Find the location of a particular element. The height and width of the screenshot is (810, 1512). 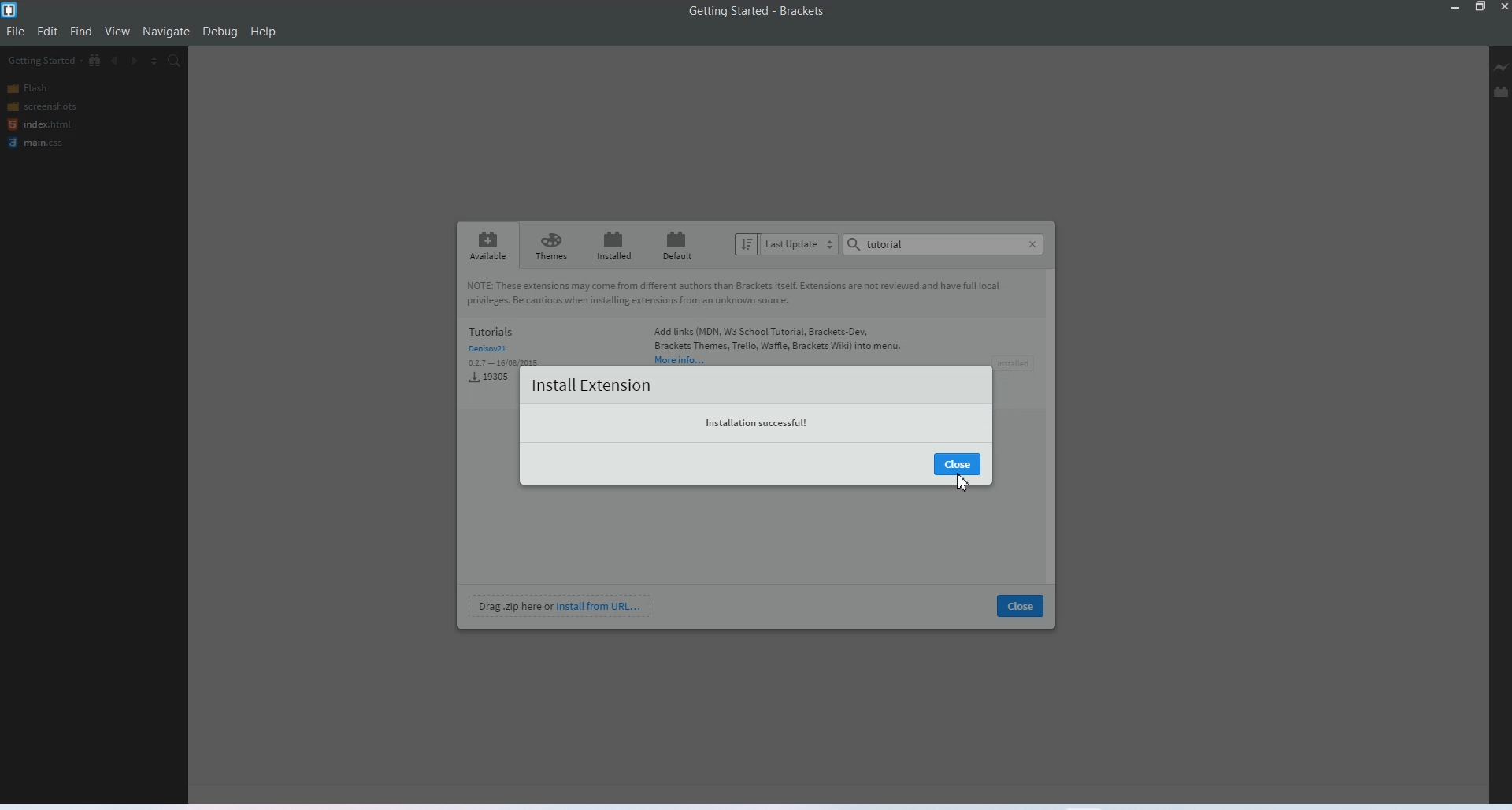

Available is located at coordinates (487, 244).